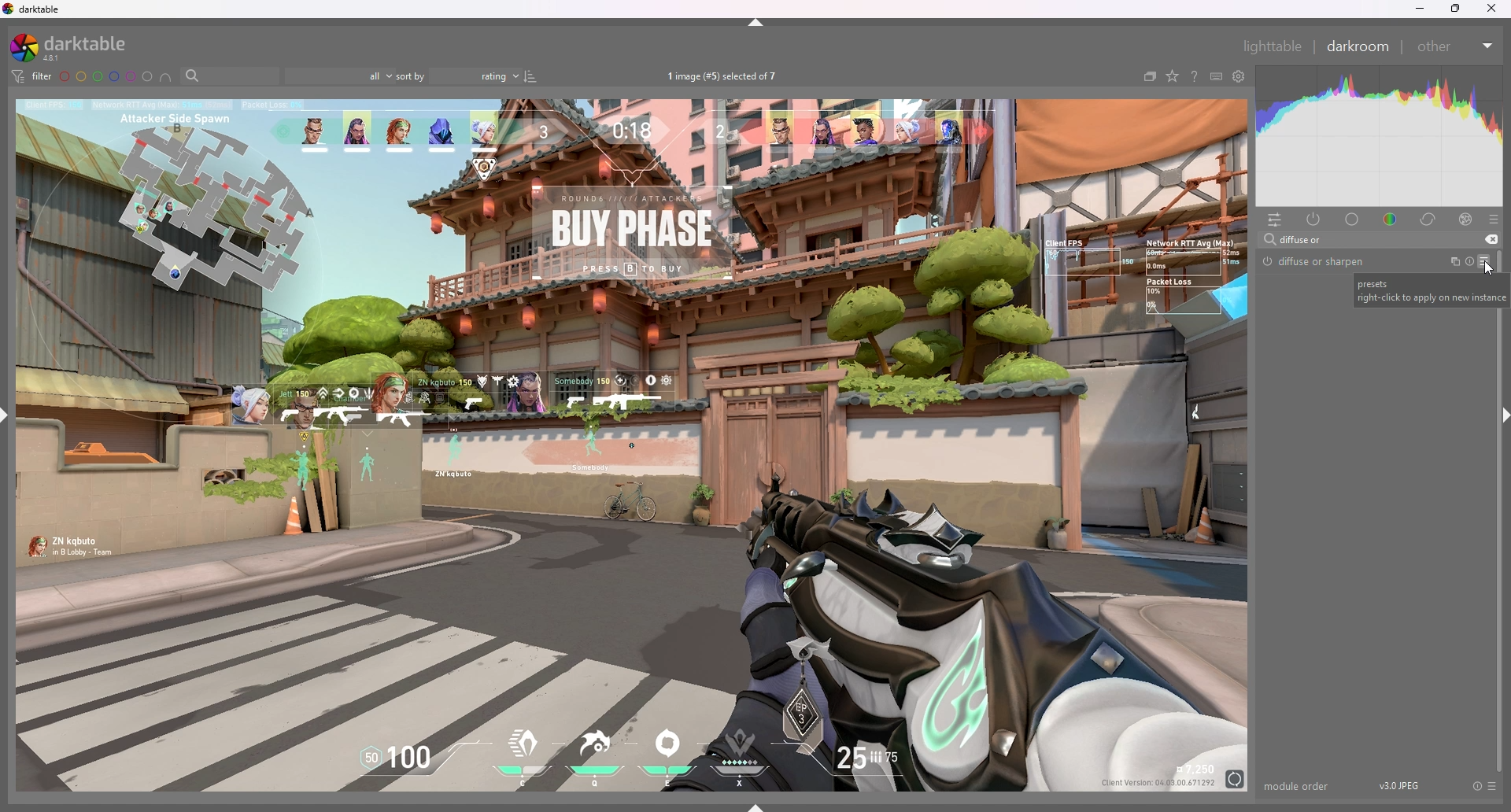 Image resolution: width=1511 pixels, height=812 pixels. I want to click on module order, so click(1297, 786).